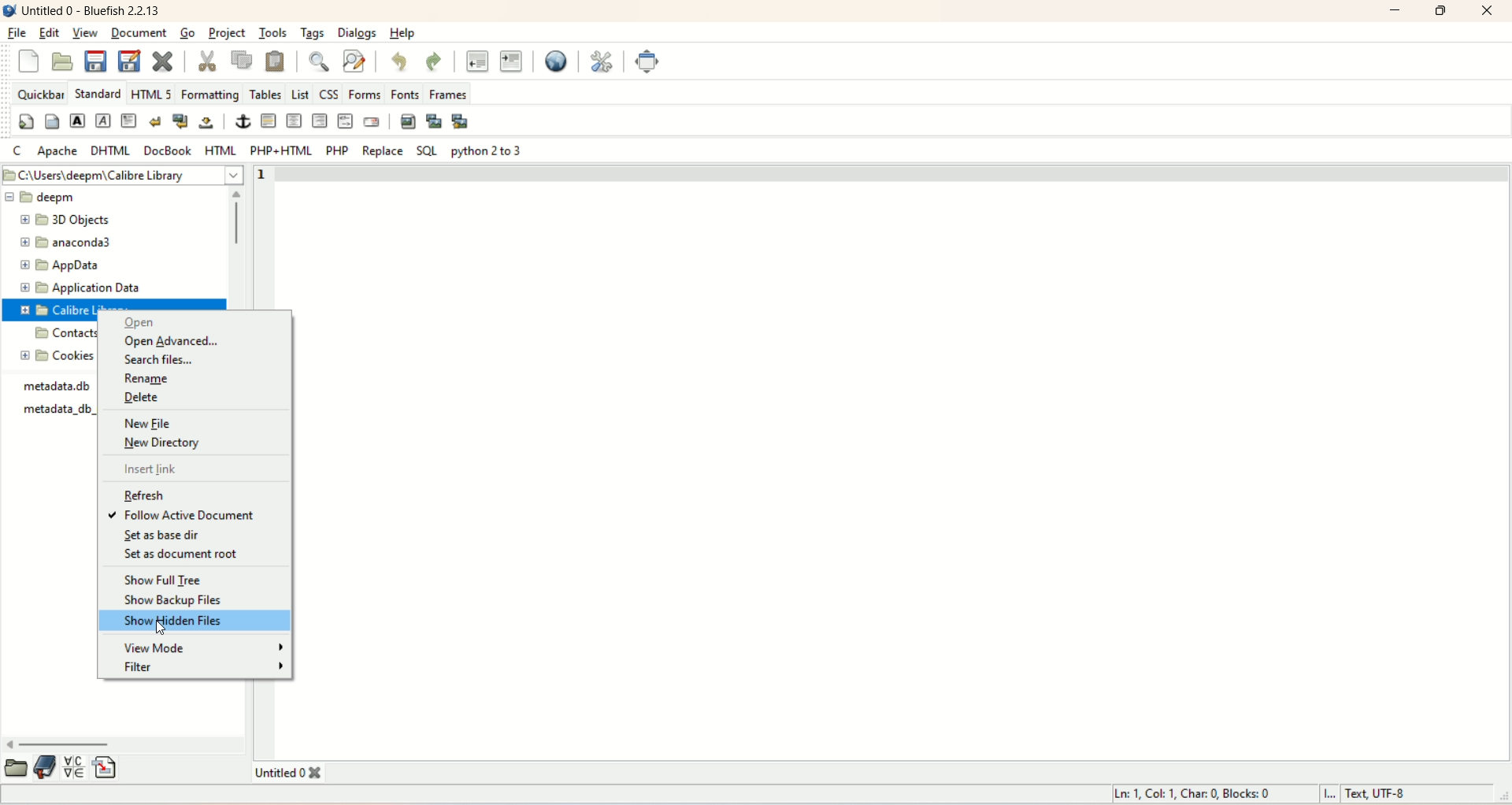  I want to click on PHP+HTML, so click(277, 150).